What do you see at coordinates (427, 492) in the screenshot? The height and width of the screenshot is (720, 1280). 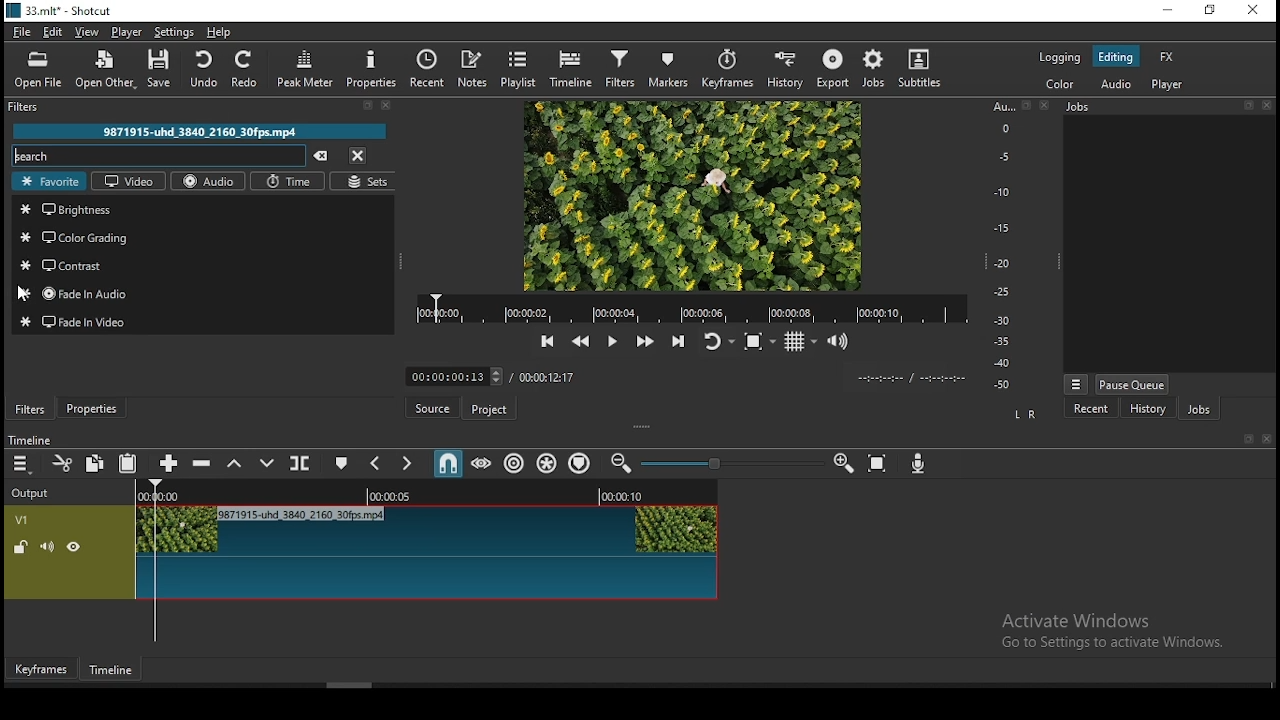 I see `video time duration bar` at bounding box center [427, 492].